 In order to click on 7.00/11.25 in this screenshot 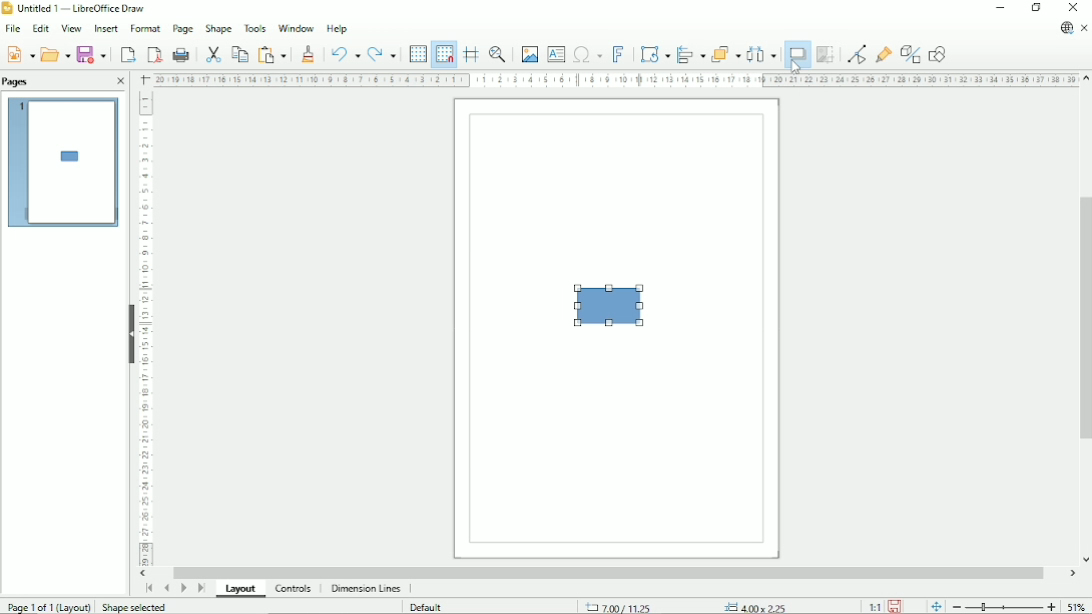, I will do `click(623, 607)`.